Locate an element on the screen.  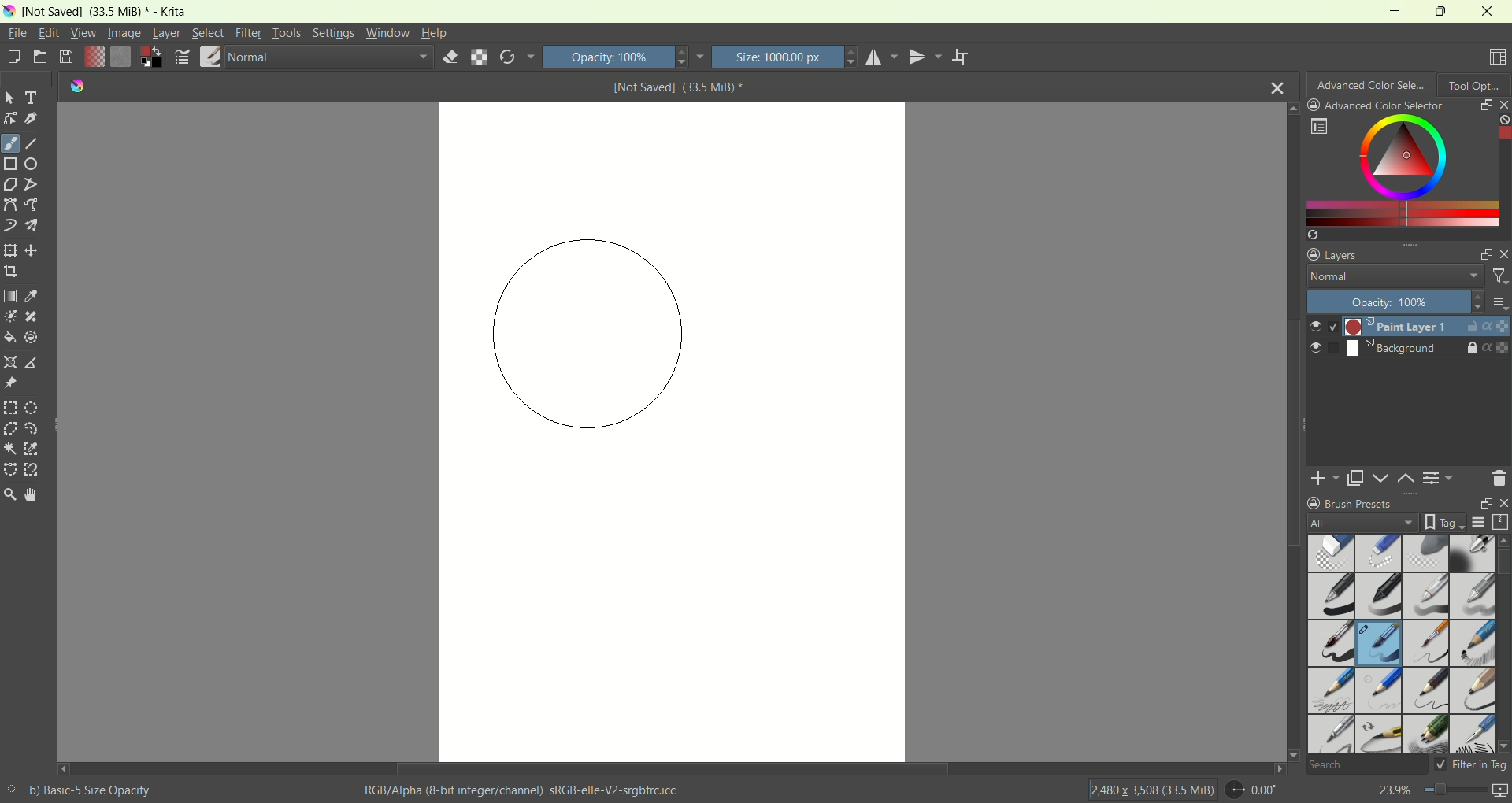
basic 1 is located at coordinates (1333, 595).